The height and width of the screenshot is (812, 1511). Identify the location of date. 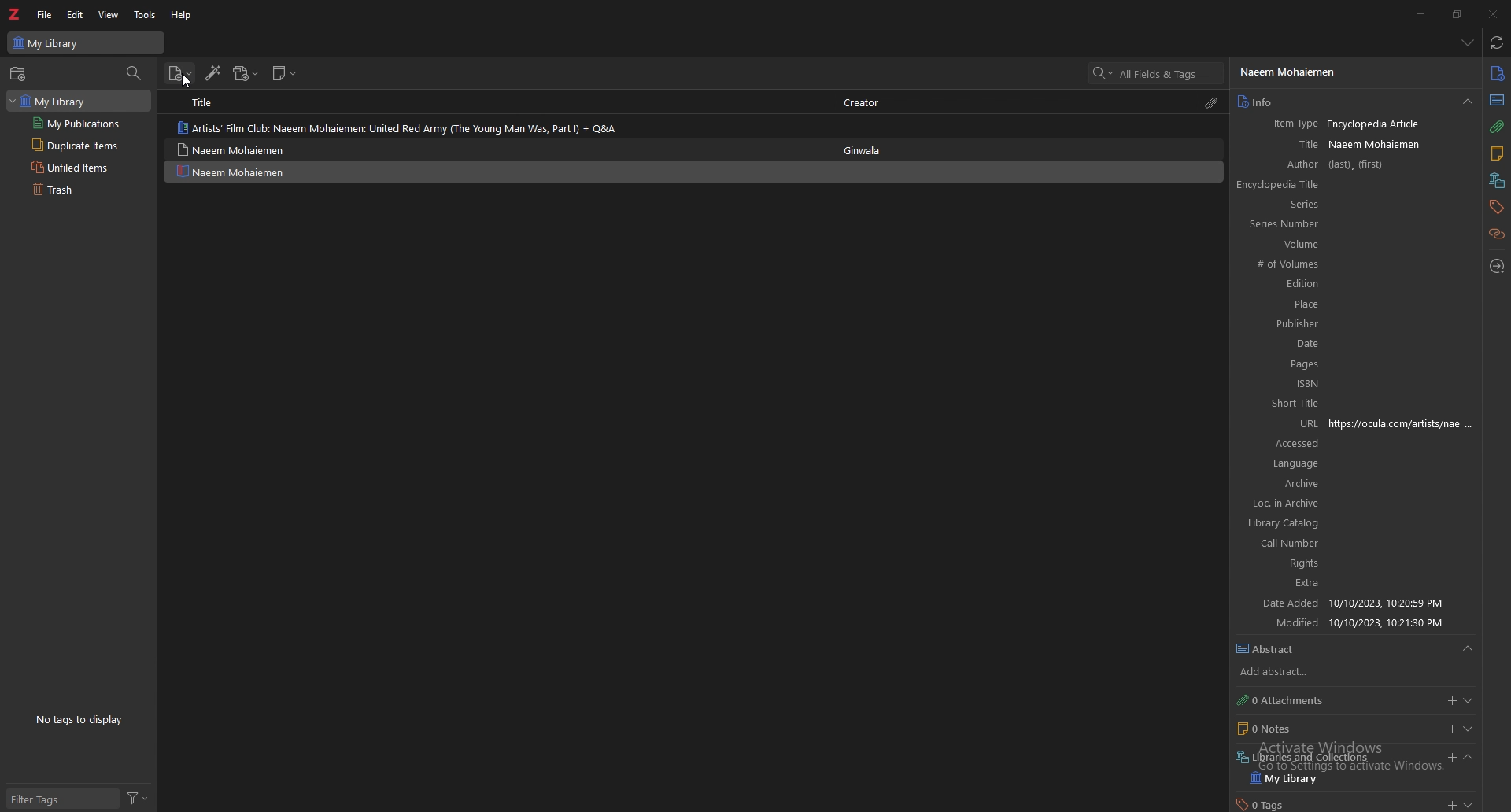
(1279, 344).